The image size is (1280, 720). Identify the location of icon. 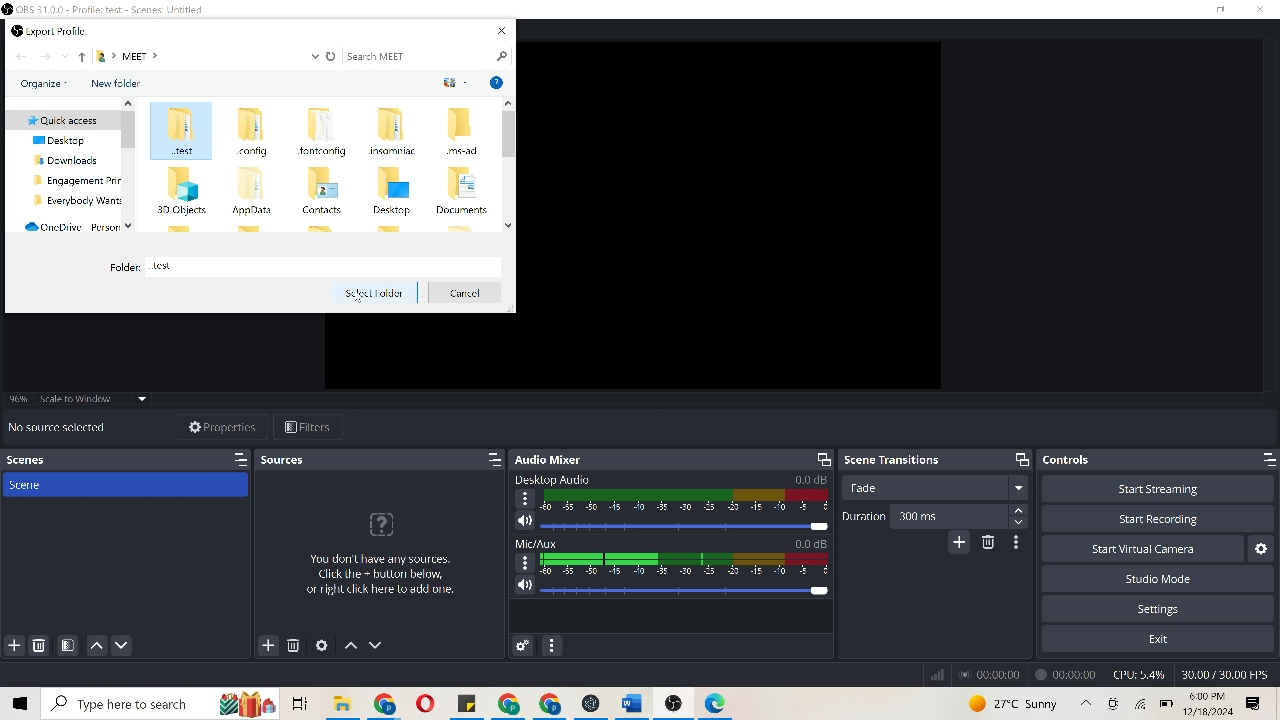
(382, 526).